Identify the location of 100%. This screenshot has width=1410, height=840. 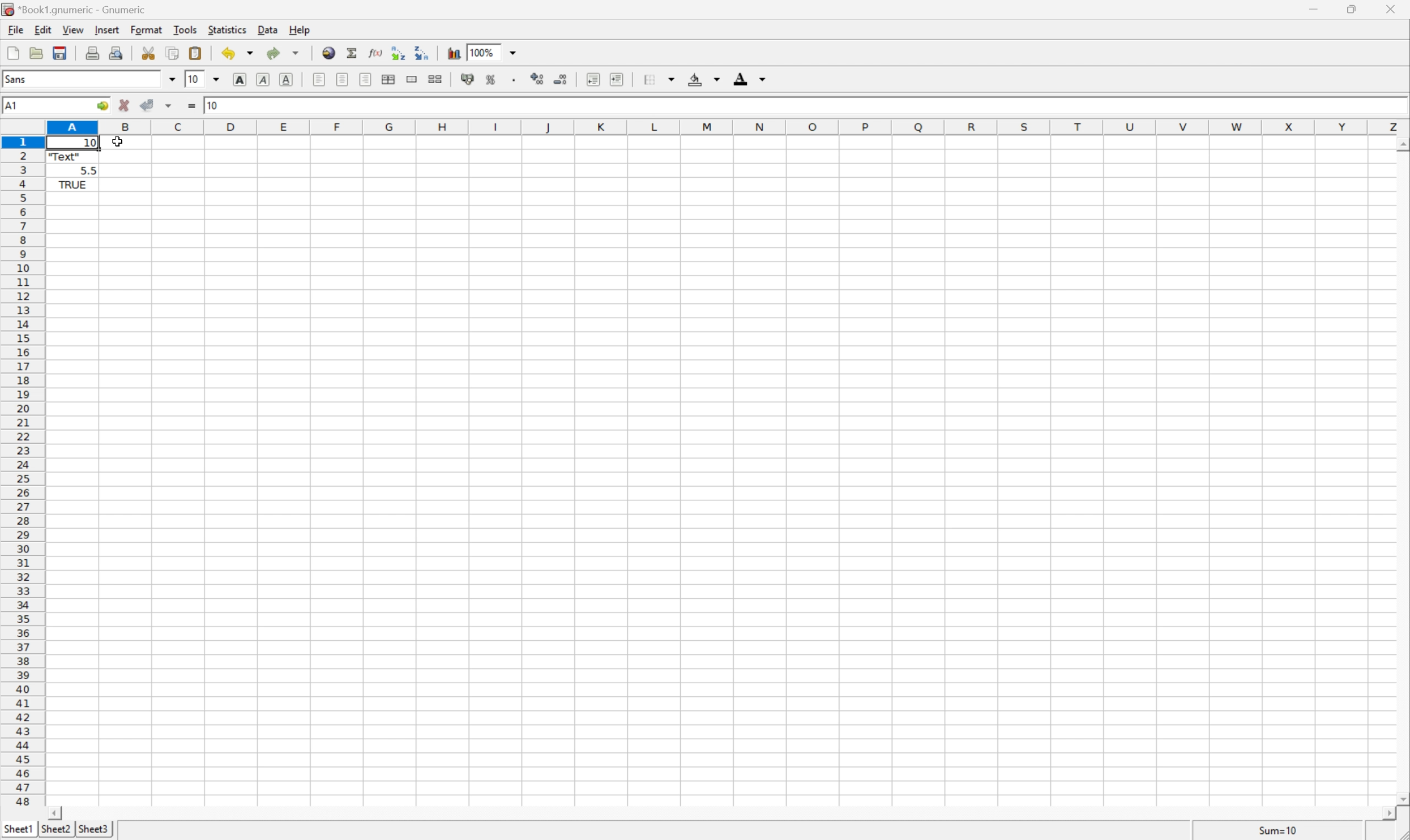
(484, 52).